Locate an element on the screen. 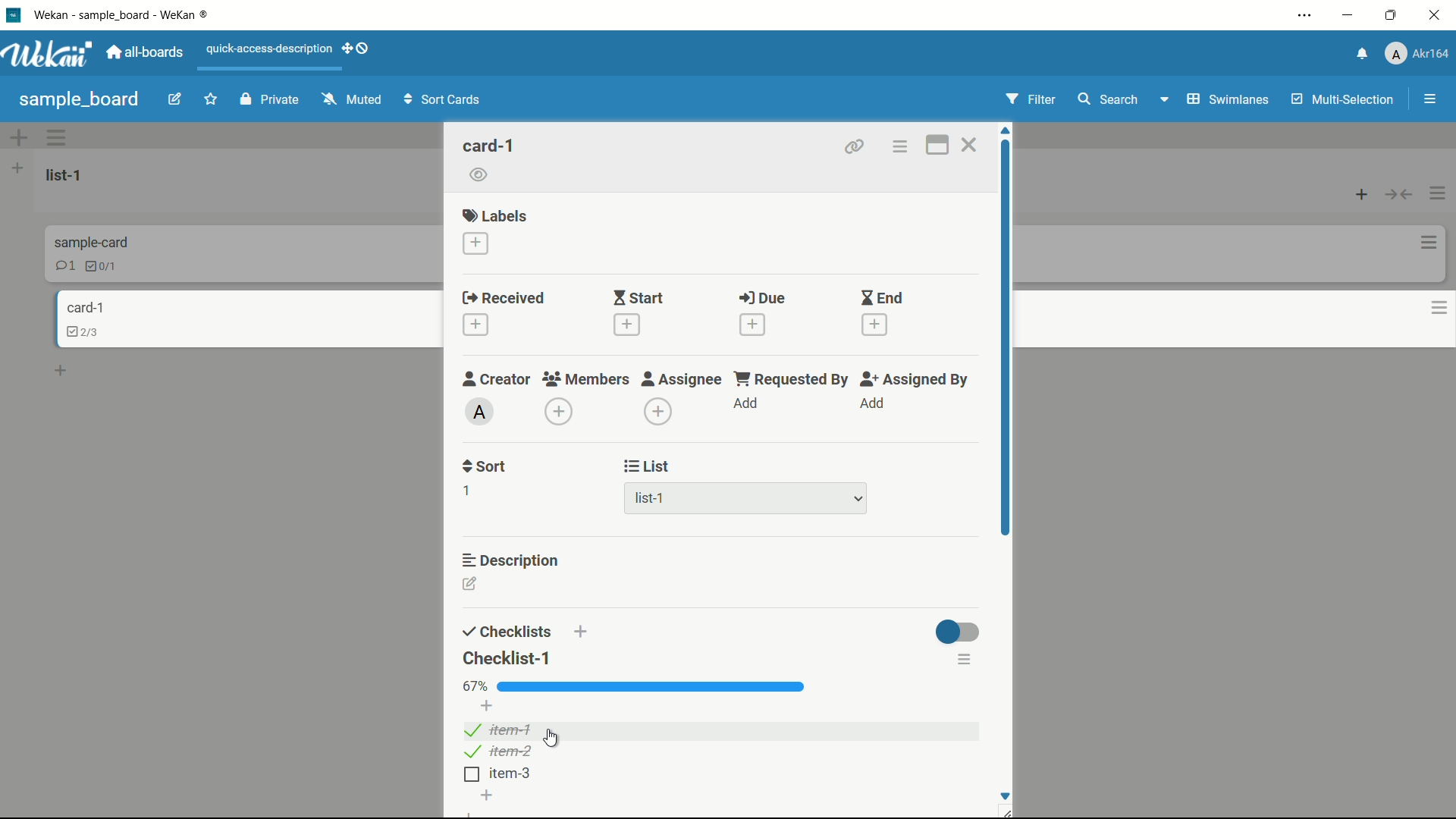  maximize card is located at coordinates (940, 145).